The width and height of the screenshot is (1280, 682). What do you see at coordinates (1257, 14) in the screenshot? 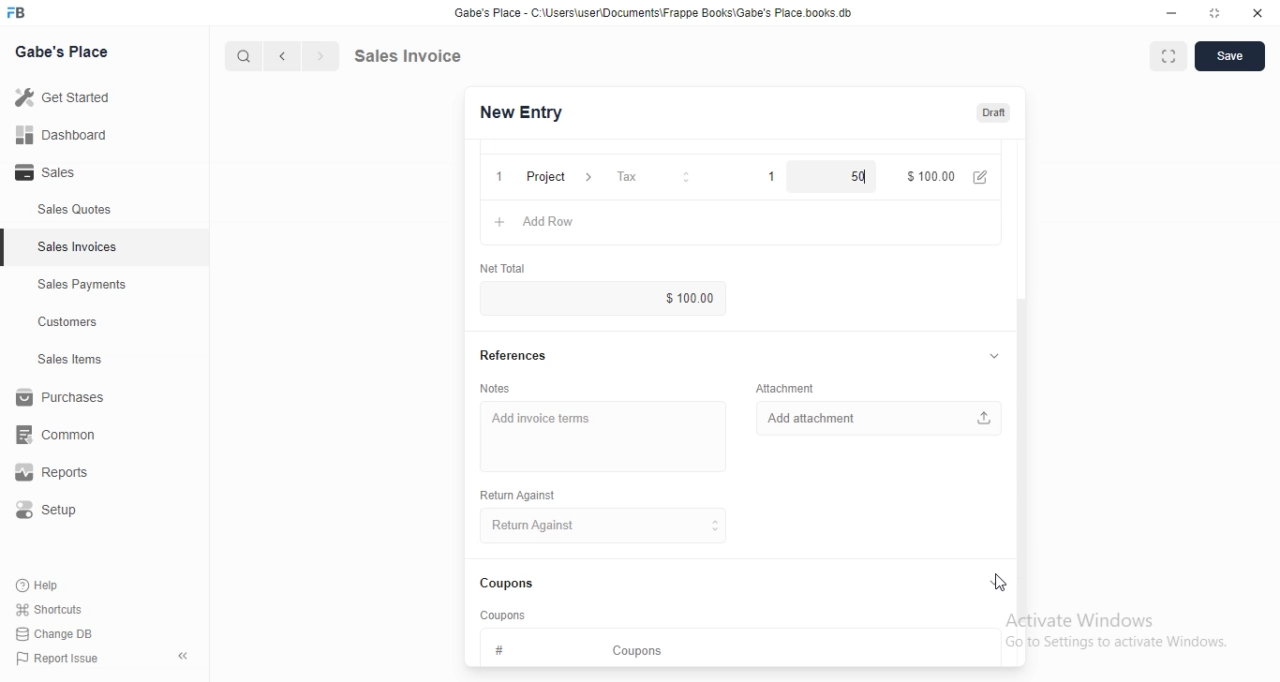
I see `close` at bounding box center [1257, 14].